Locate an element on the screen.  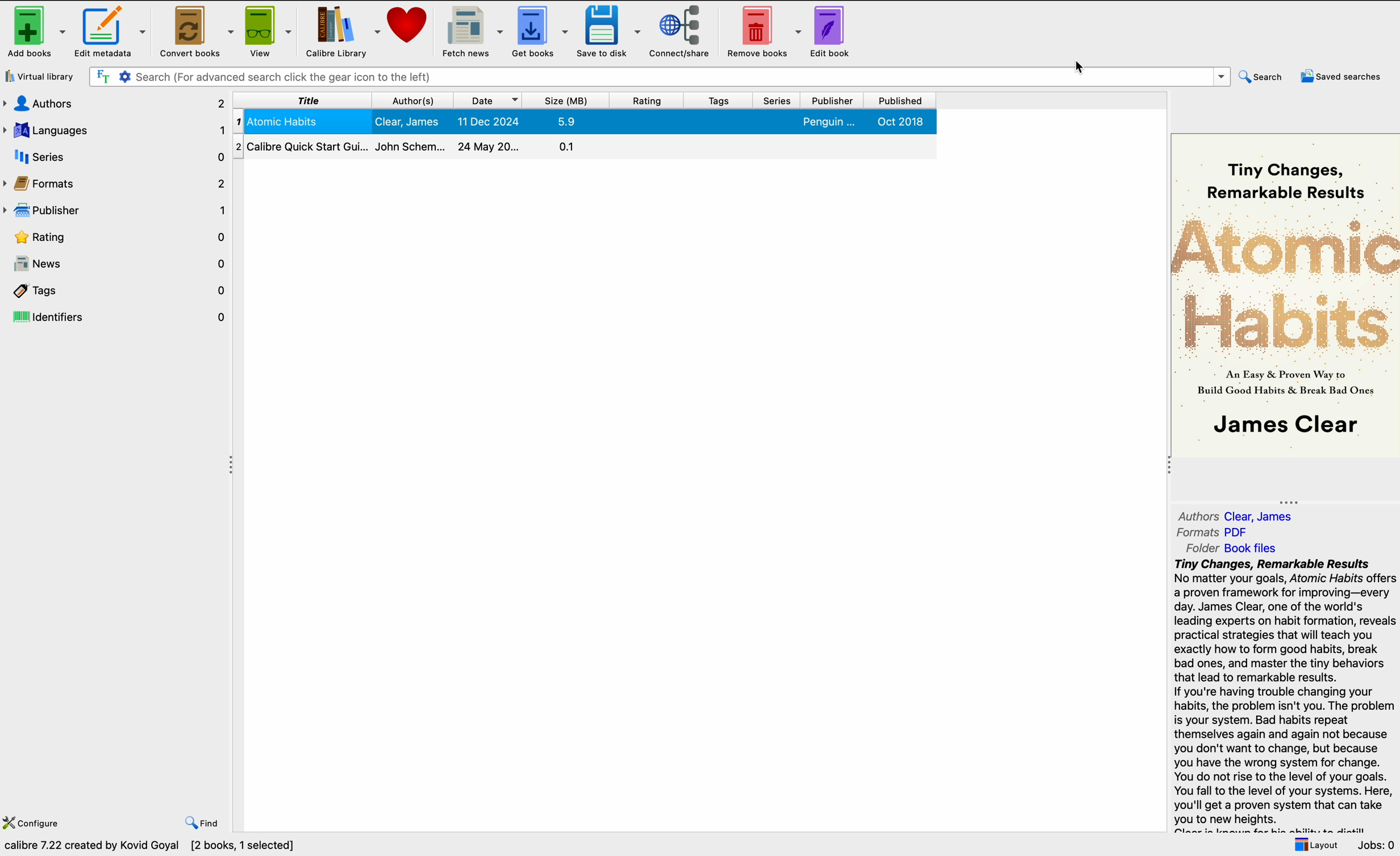
virtual library is located at coordinates (41, 77).